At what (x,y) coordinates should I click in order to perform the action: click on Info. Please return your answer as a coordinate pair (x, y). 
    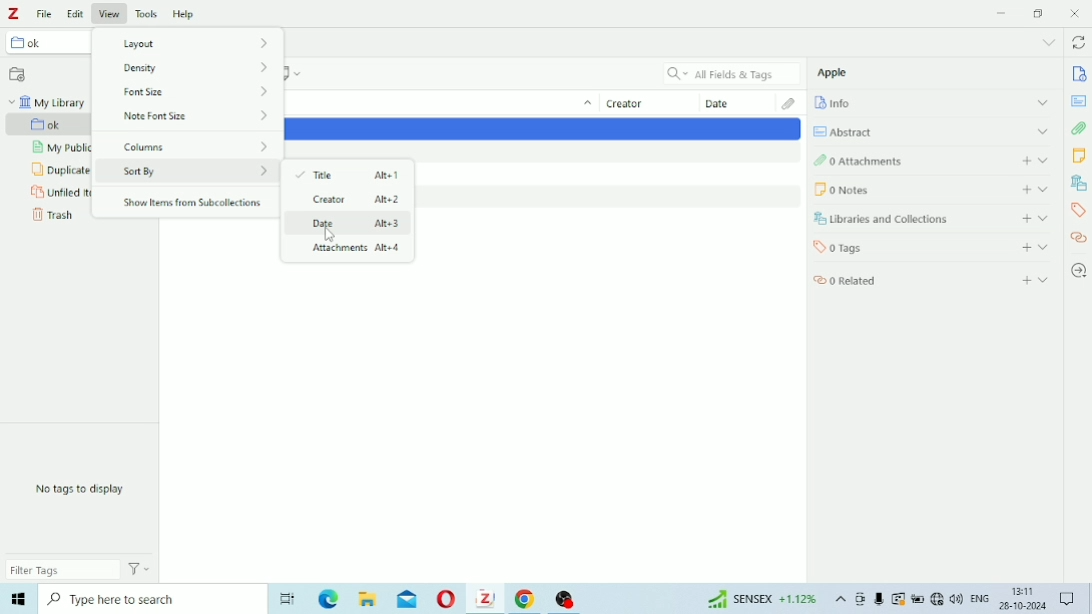
    Looking at the image, I should click on (845, 104).